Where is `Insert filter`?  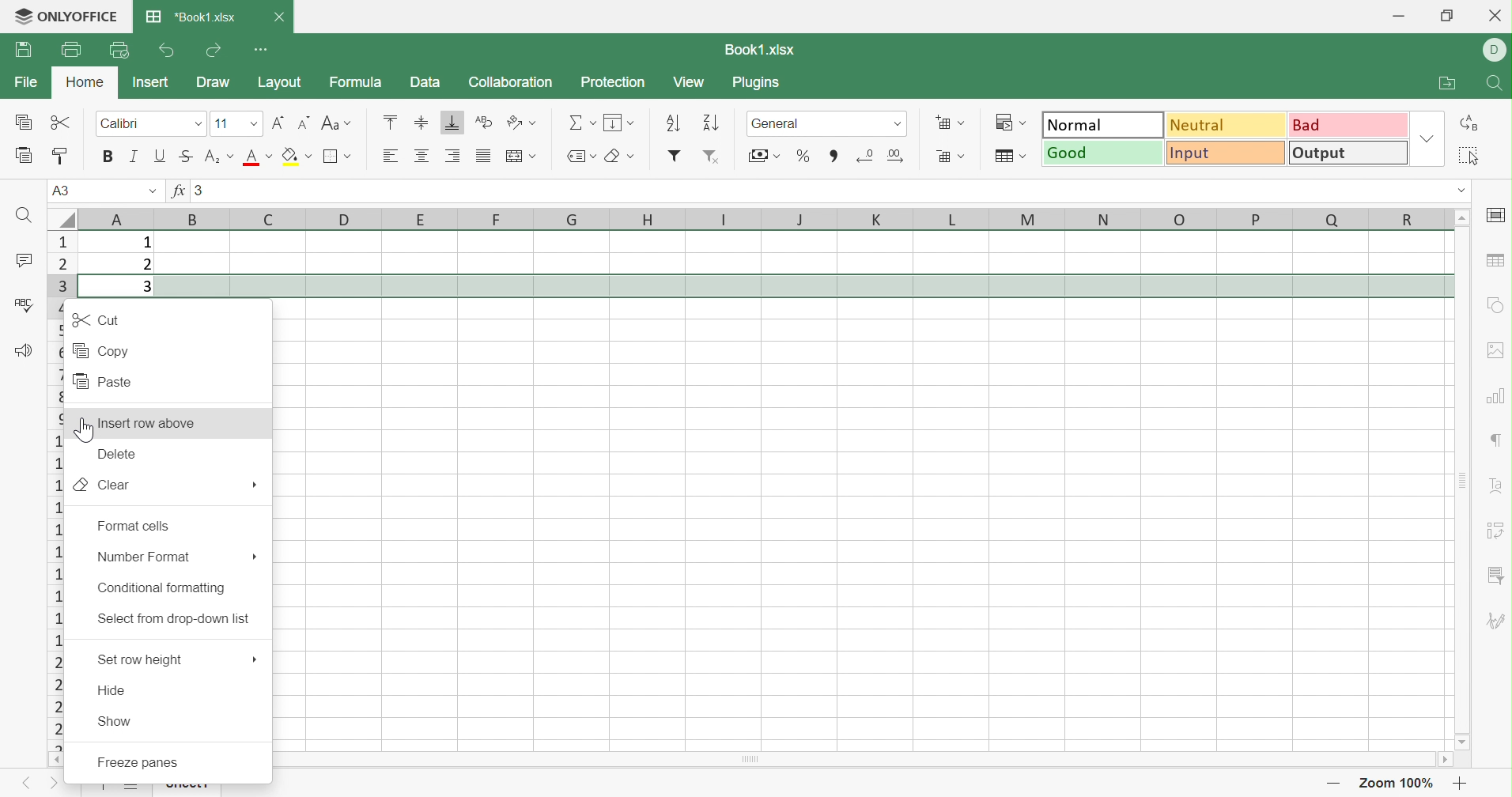 Insert filter is located at coordinates (674, 158).